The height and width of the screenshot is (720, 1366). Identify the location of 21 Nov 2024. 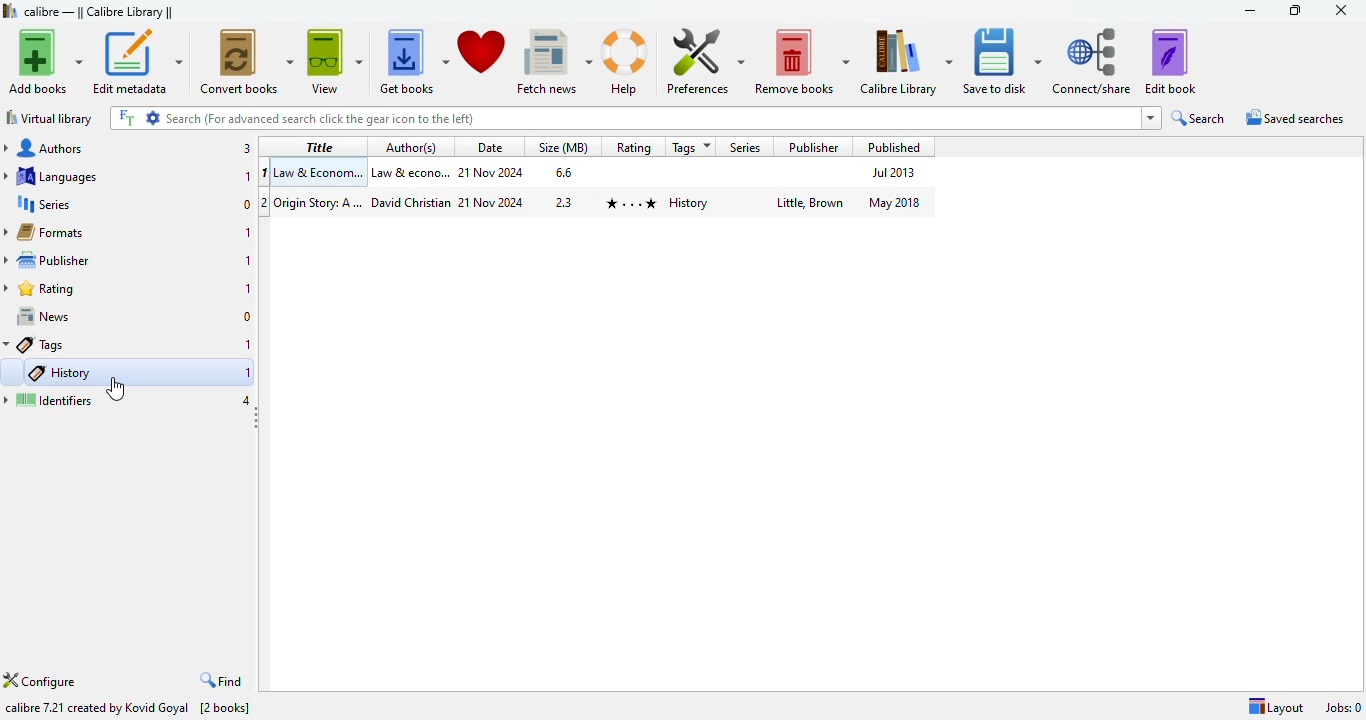
(491, 203).